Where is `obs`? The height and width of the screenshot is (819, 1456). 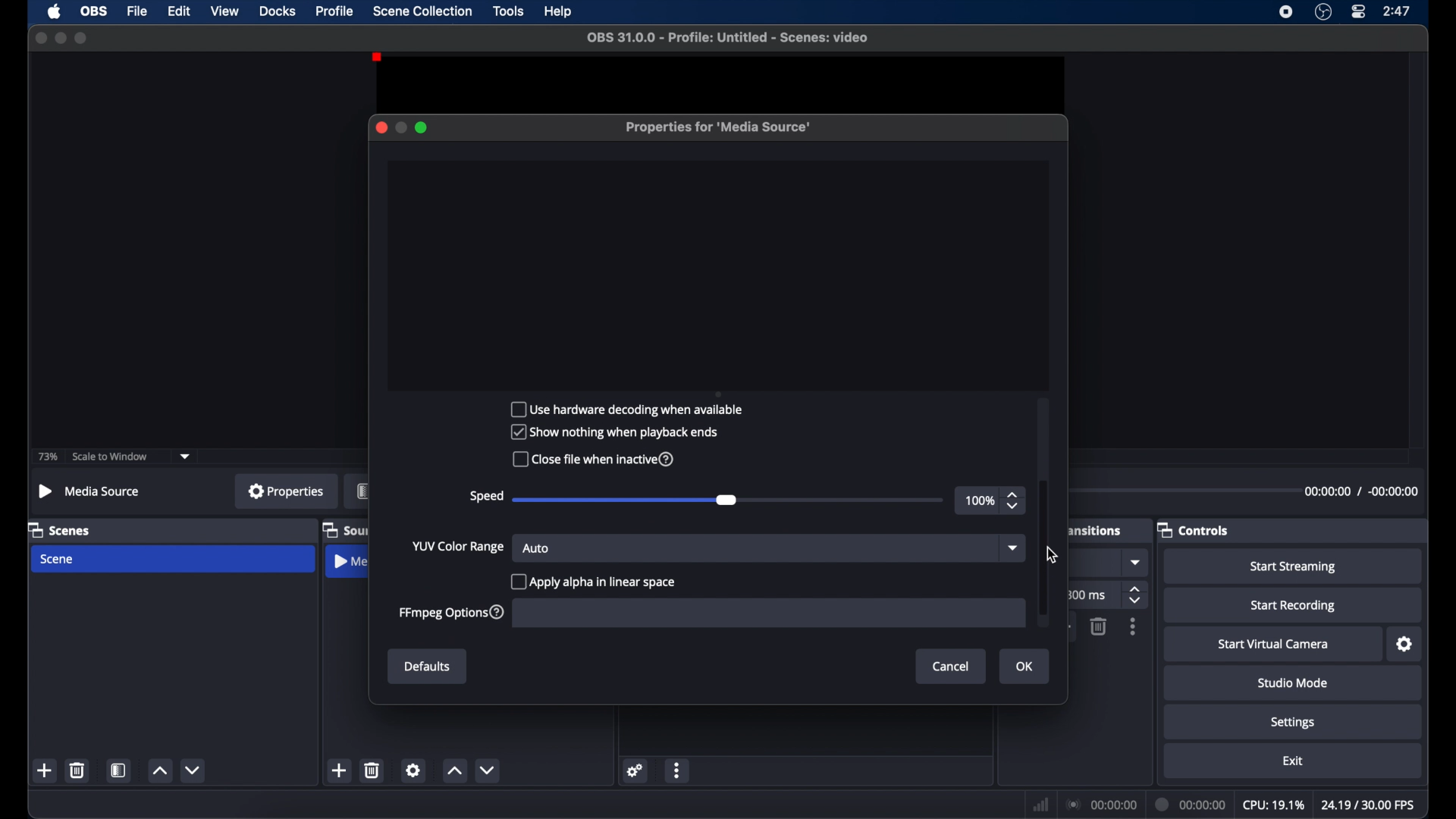 obs is located at coordinates (94, 11).